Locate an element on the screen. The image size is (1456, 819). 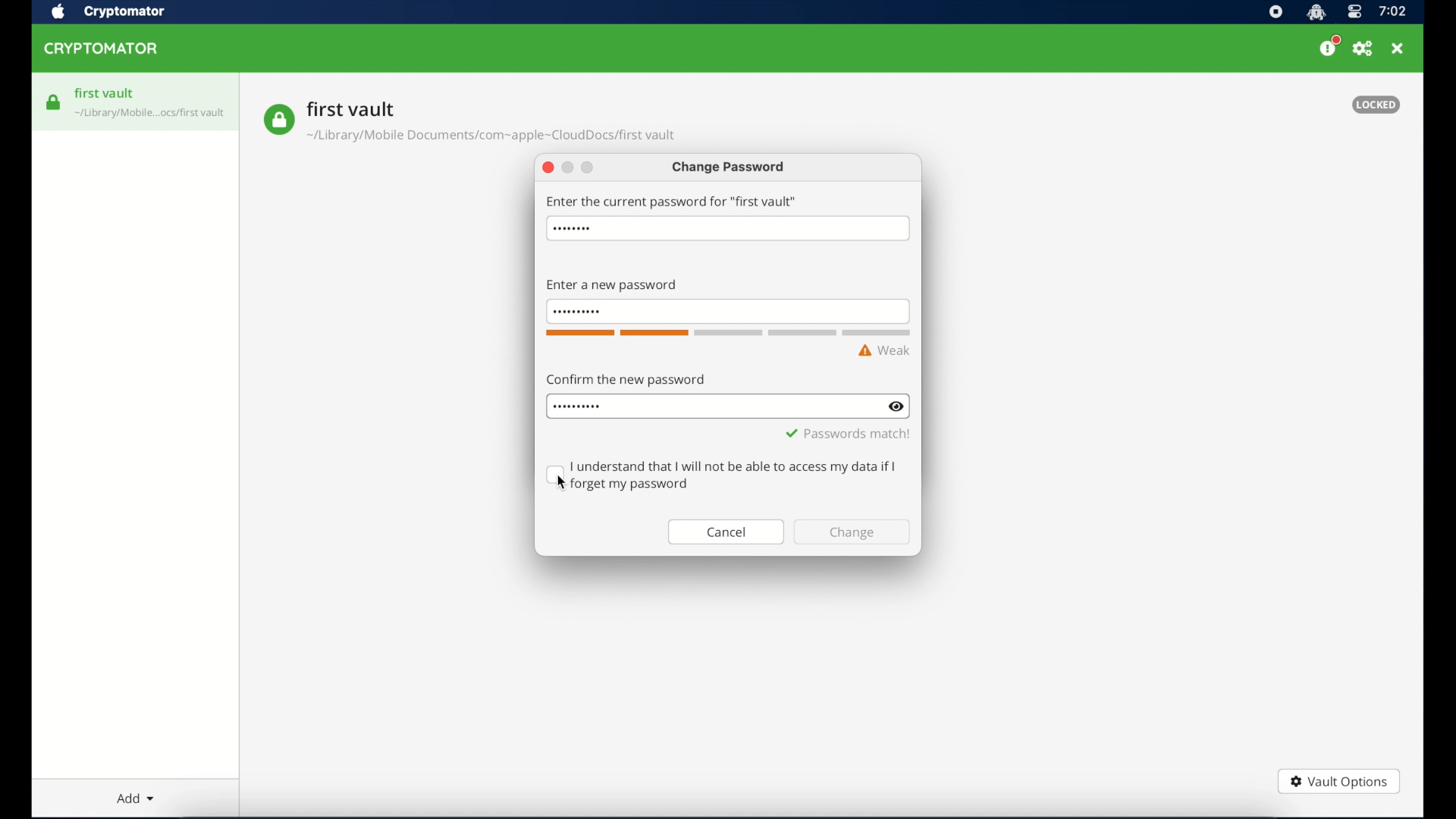
screen recorder icon is located at coordinates (1276, 13).